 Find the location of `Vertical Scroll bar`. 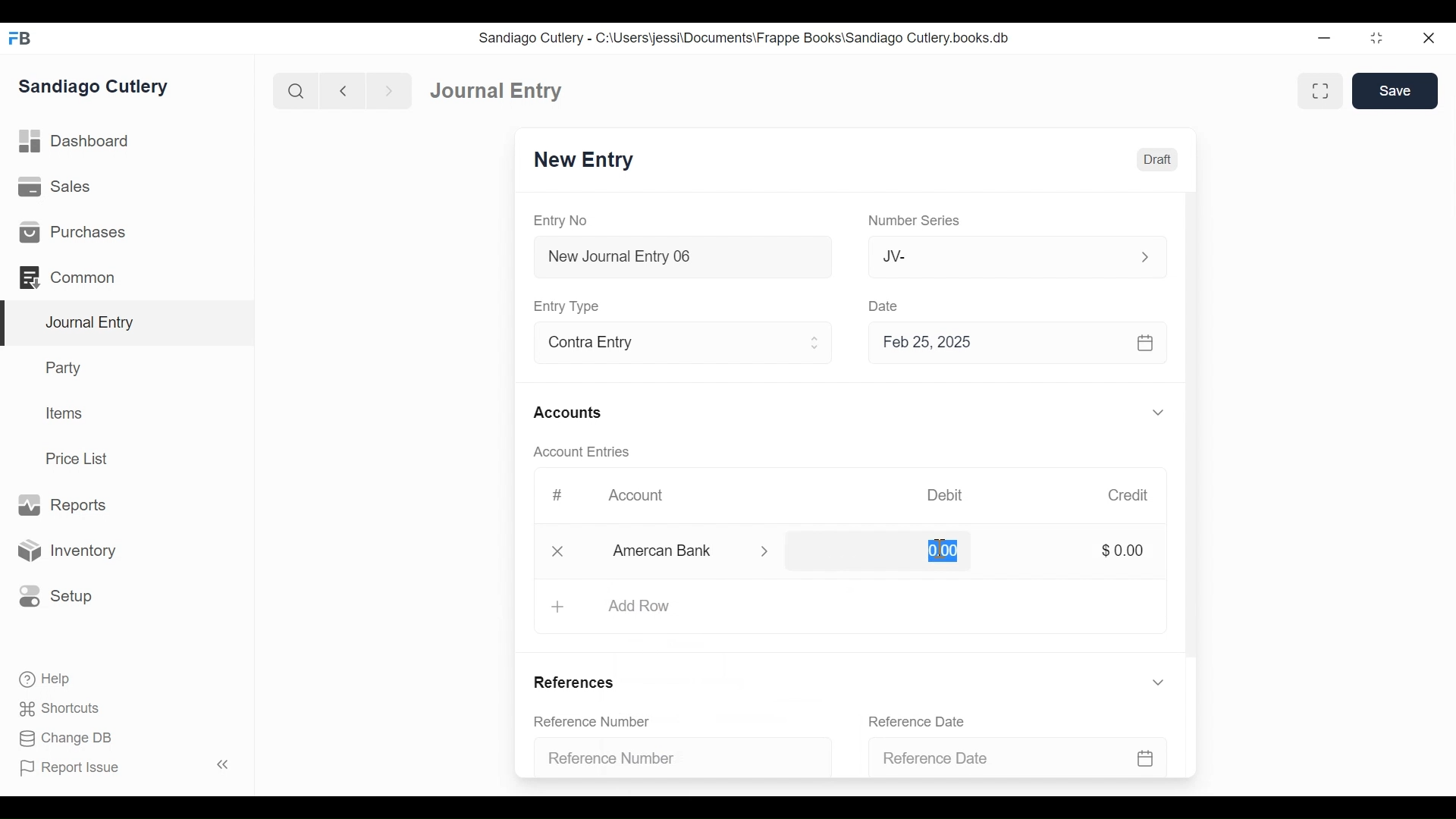

Vertical Scroll bar is located at coordinates (1193, 431).